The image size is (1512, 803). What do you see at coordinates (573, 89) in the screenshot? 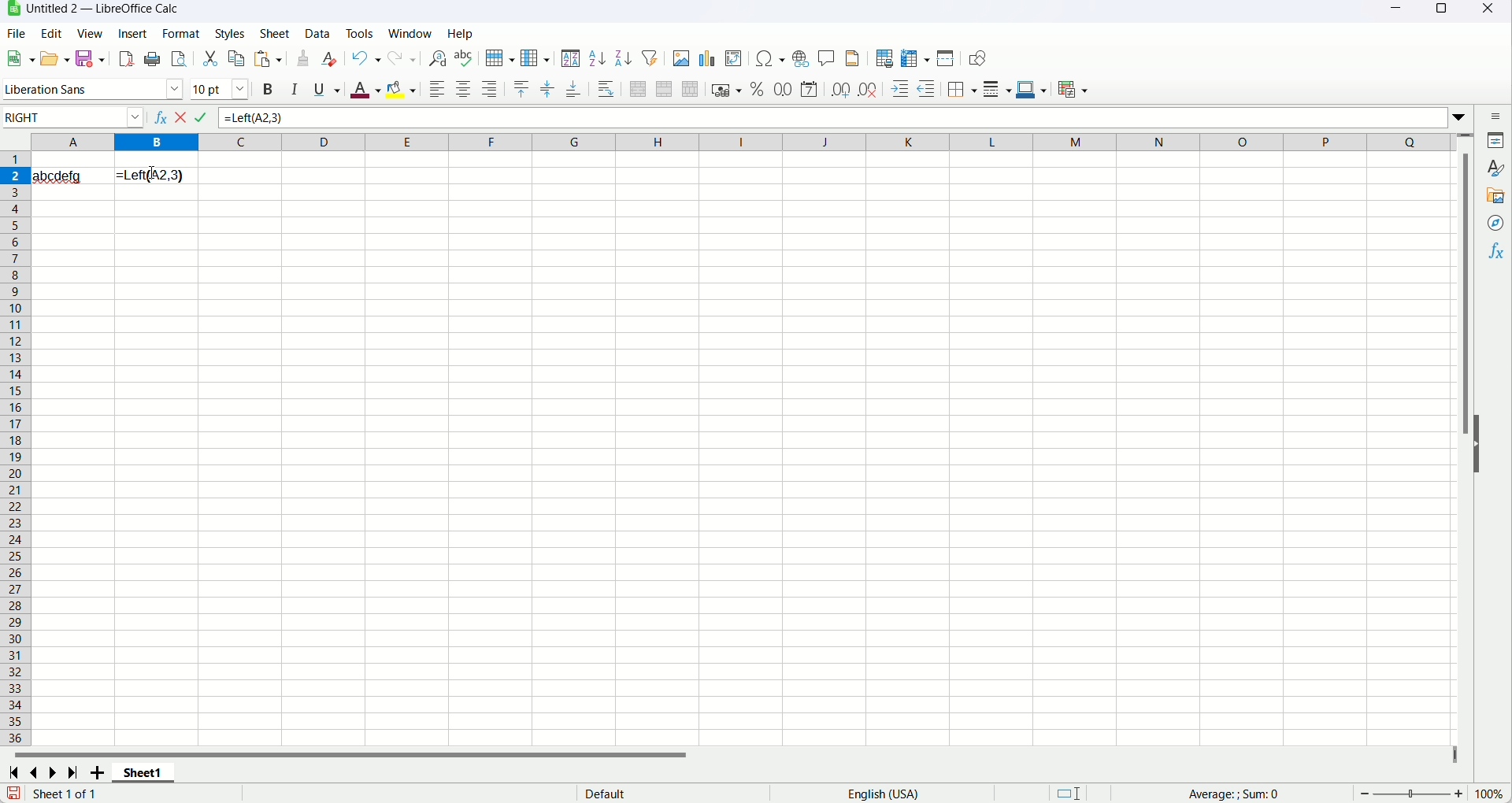
I see `align bottom` at bounding box center [573, 89].